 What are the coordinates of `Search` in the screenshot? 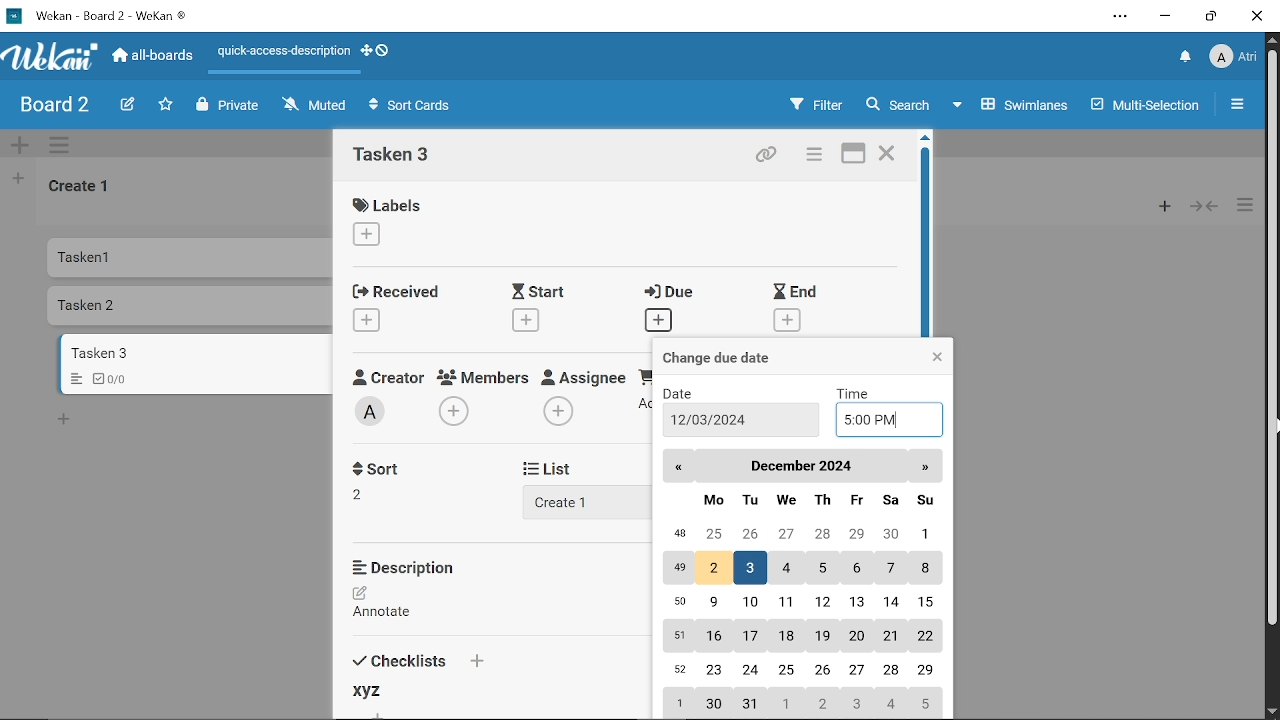 It's located at (904, 105).